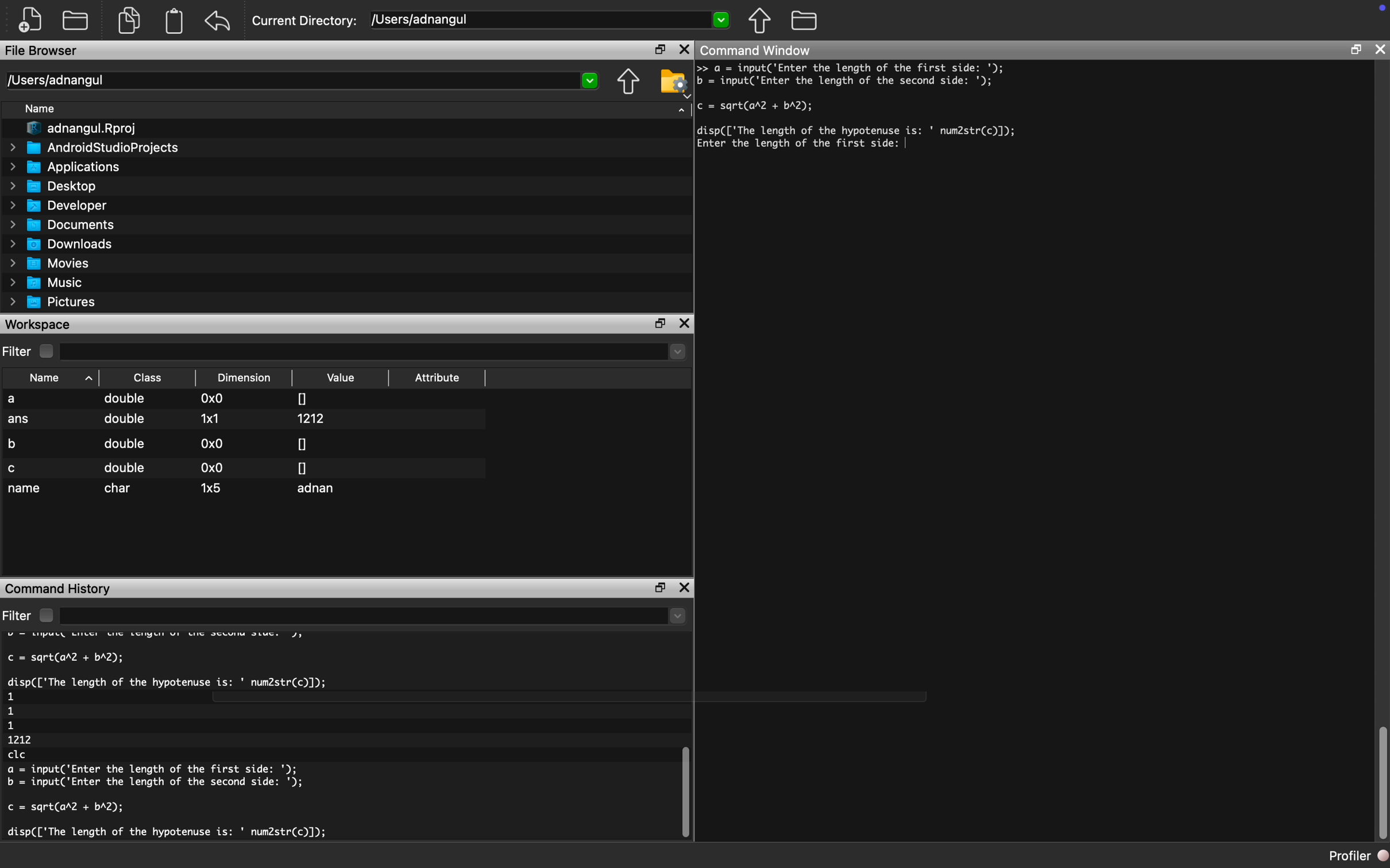  I want to click on  Desktop, so click(60, 185).